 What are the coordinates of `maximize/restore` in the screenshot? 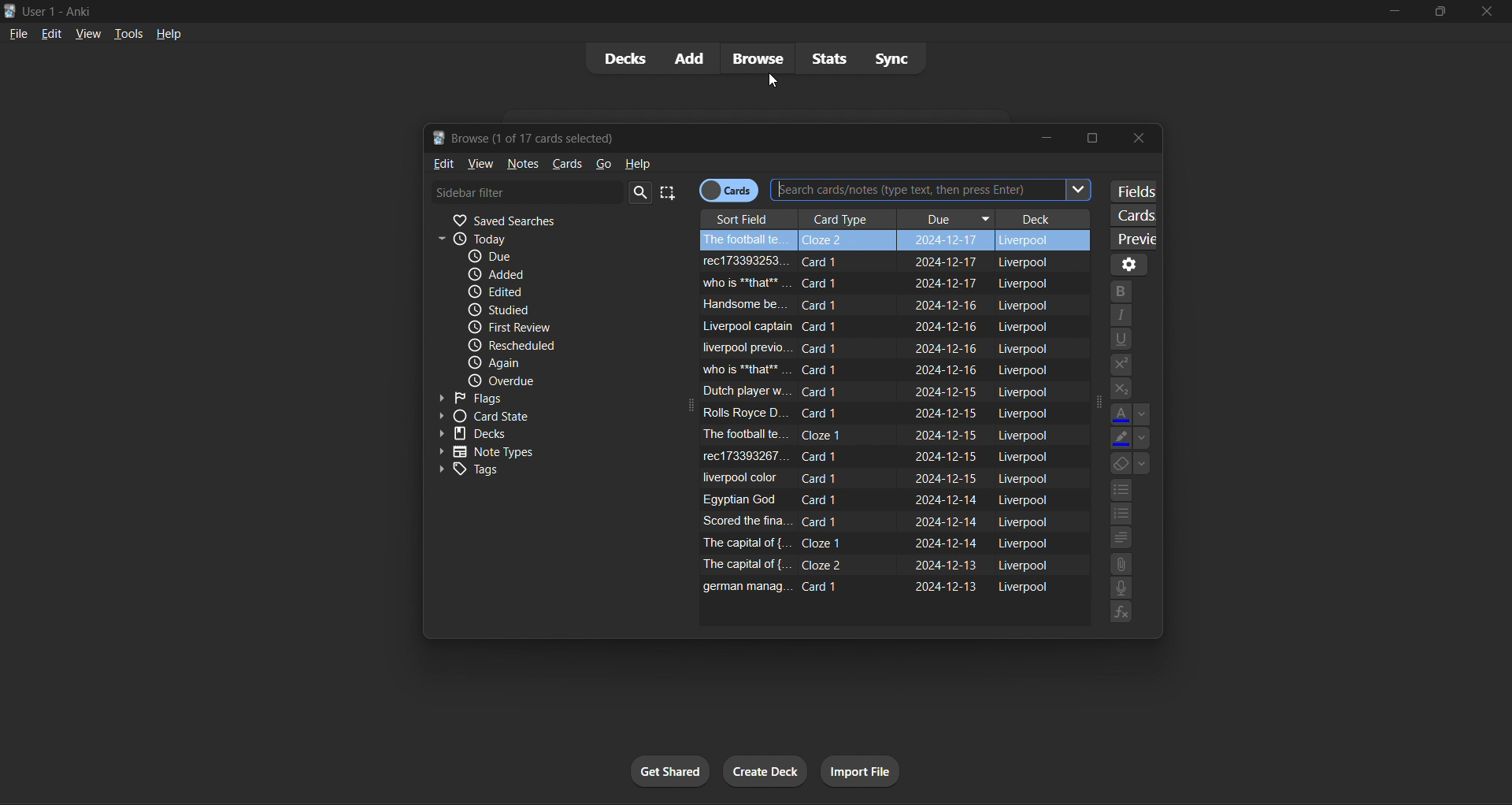 It's located at (1438, 10).